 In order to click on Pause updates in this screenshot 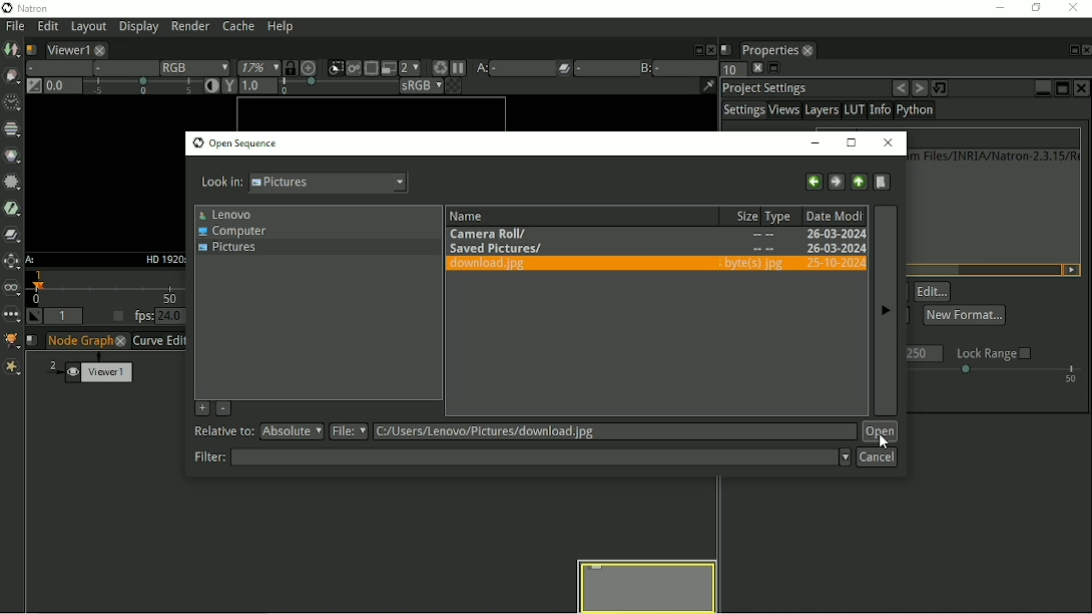, I will do `click(459, 68)`.